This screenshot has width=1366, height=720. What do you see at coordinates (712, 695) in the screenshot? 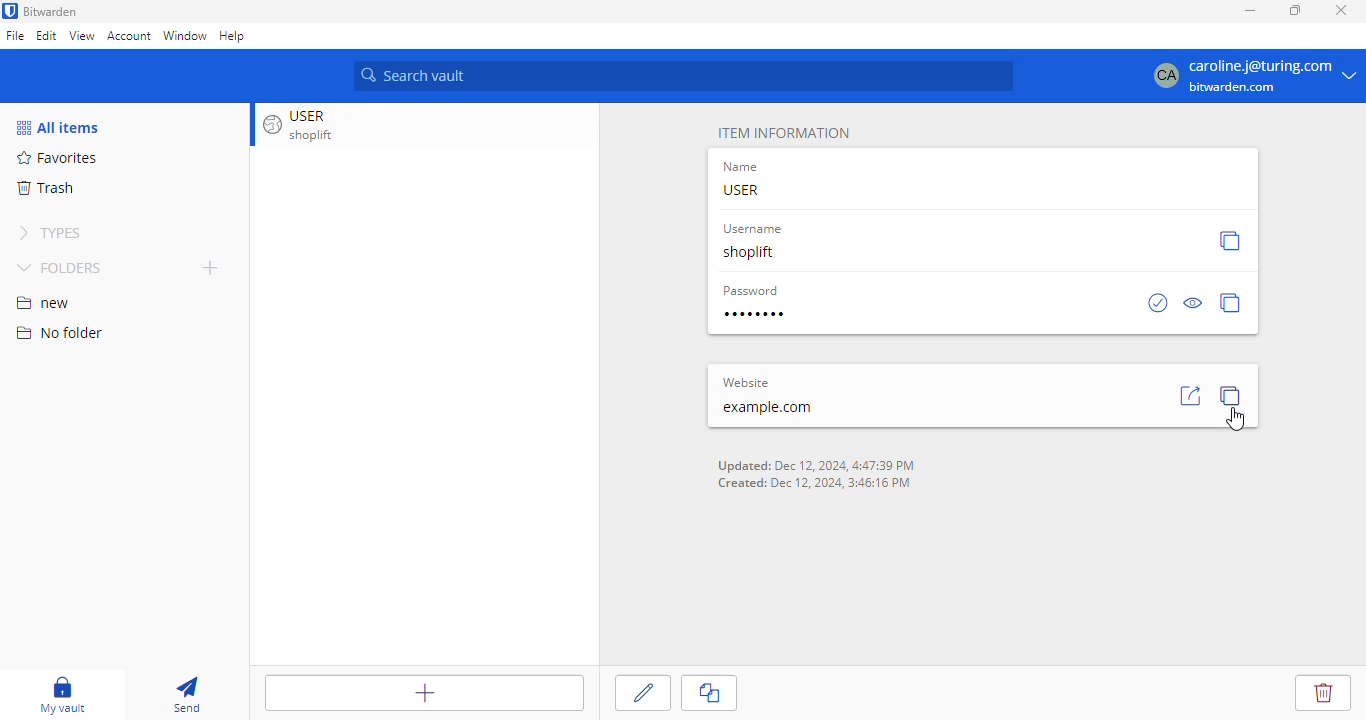
I see `clone` at bounding box center [712, 695].